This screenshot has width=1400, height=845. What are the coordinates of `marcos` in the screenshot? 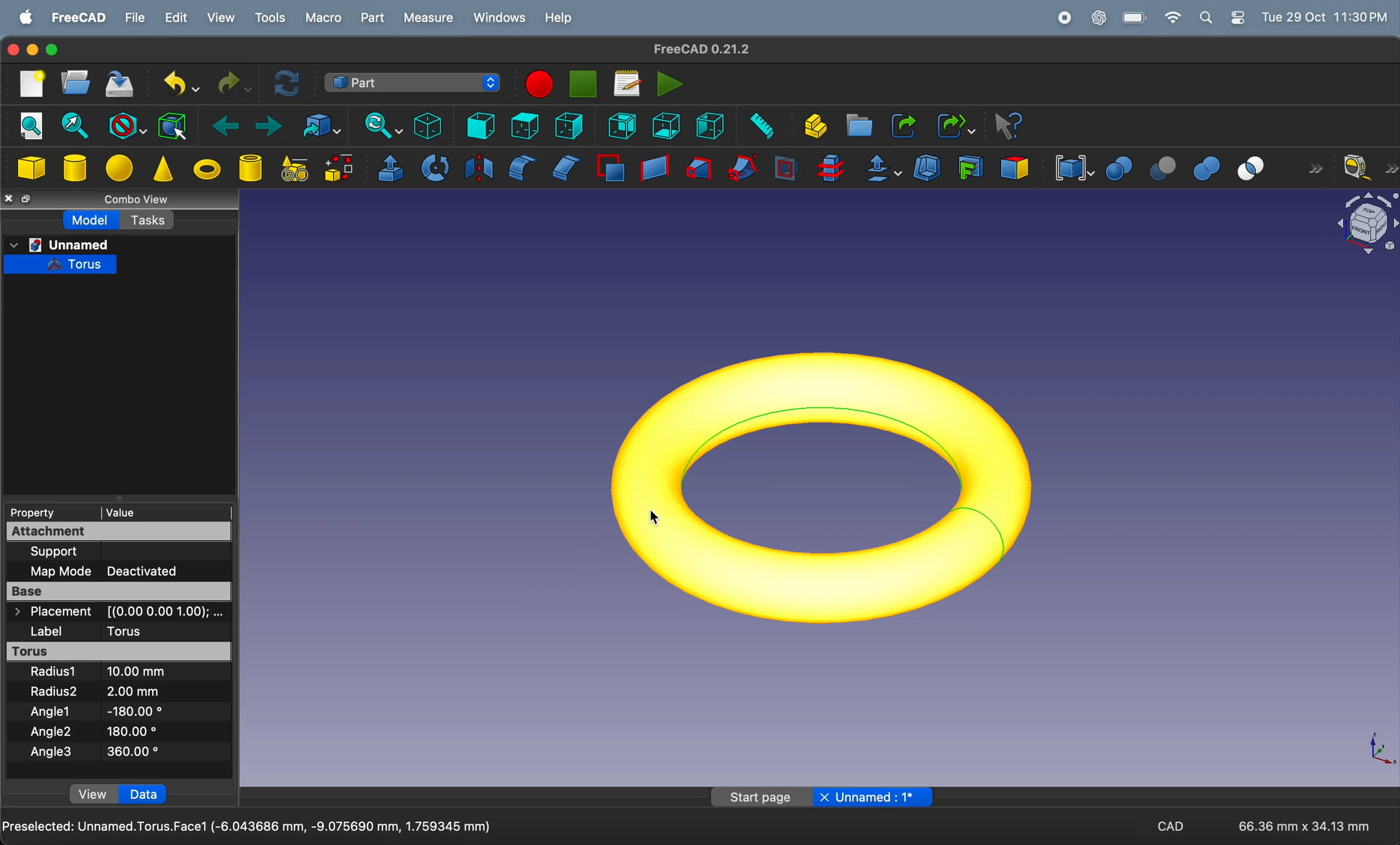 It's located at (627, 83).